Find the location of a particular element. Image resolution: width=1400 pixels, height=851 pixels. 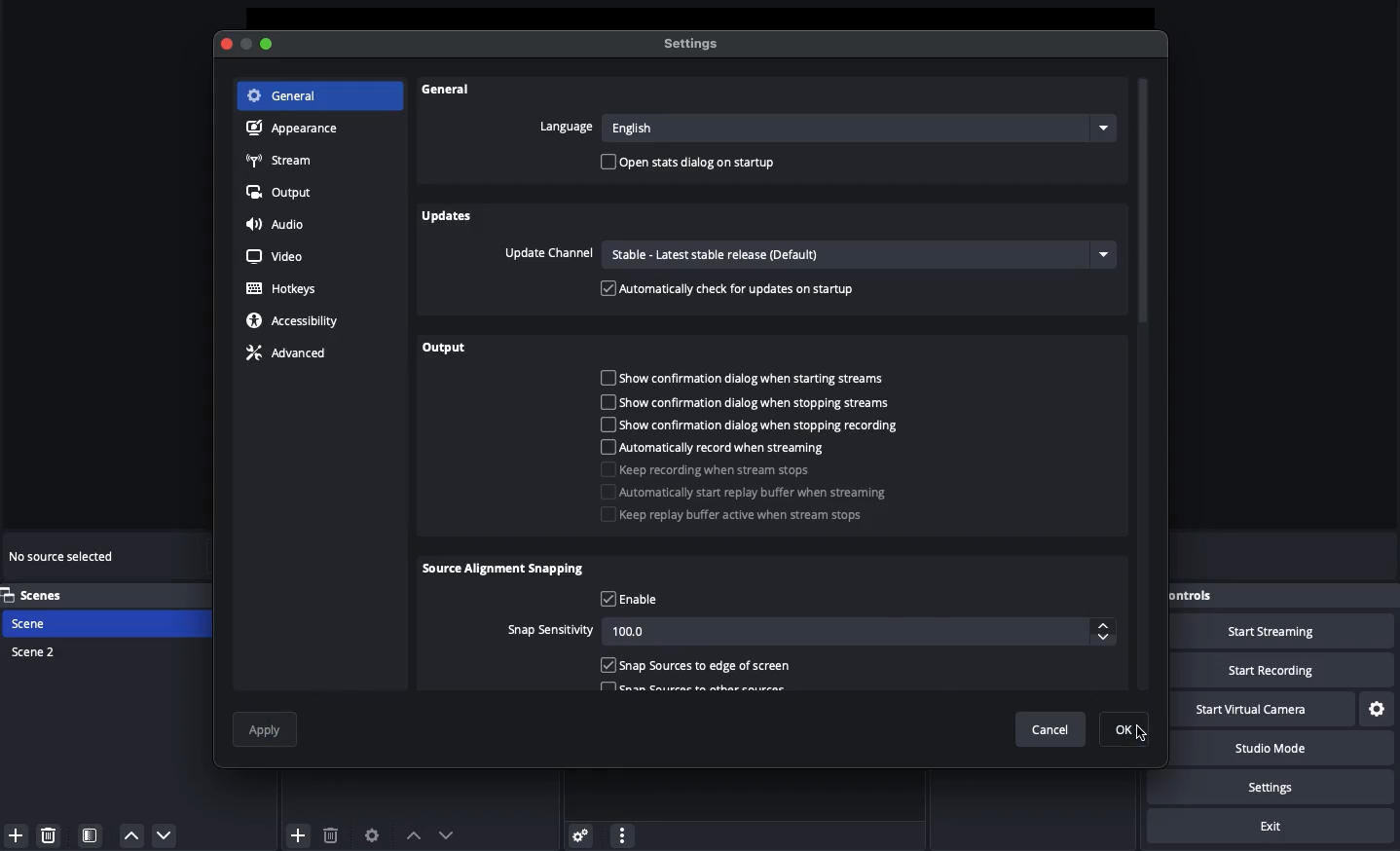

cursor is located at coordinates (1125, 726).